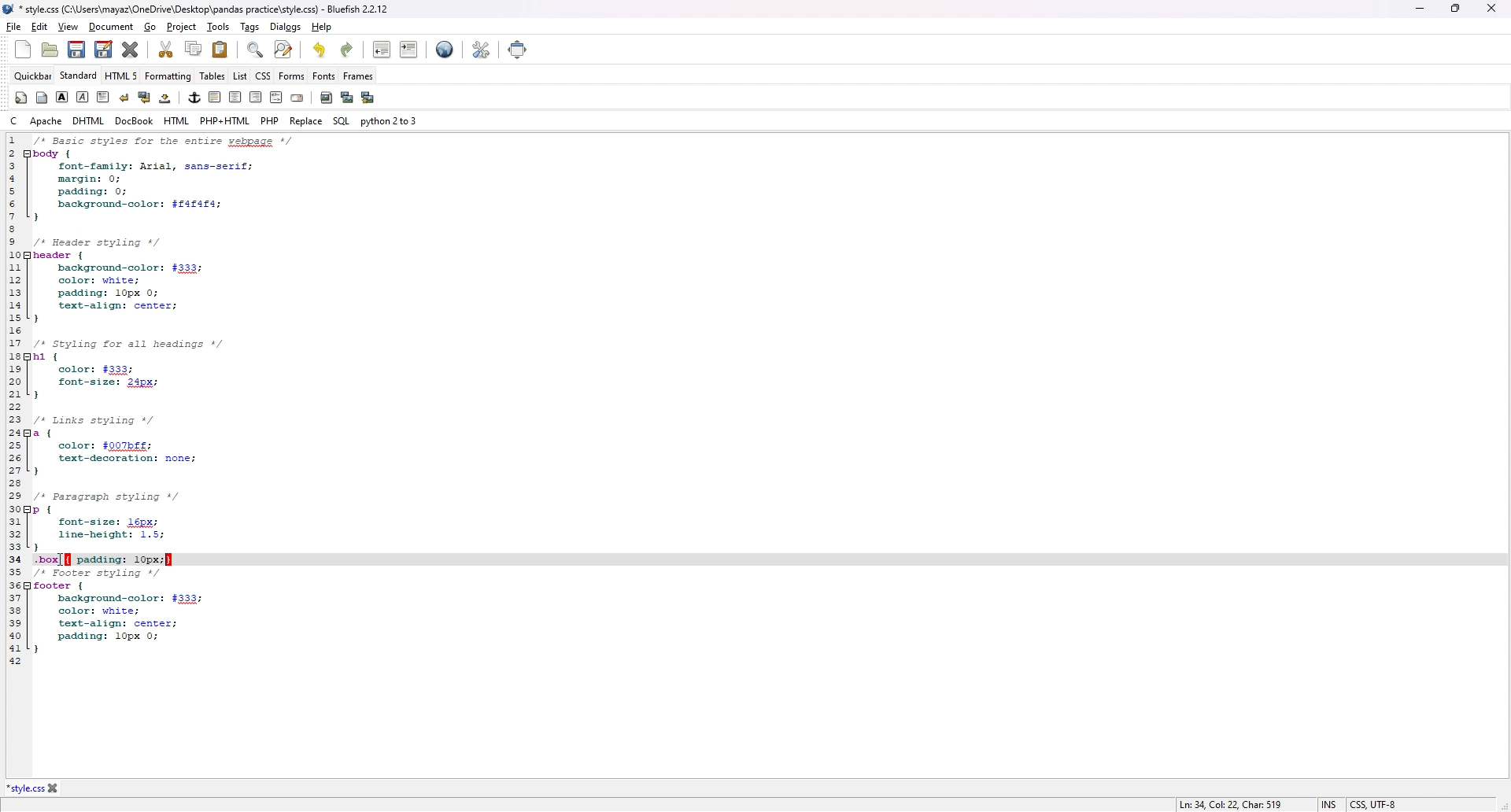  What do you see at coordinates (41, 98) in the screenshot?
I see `body` at bounding box center [41, 98].